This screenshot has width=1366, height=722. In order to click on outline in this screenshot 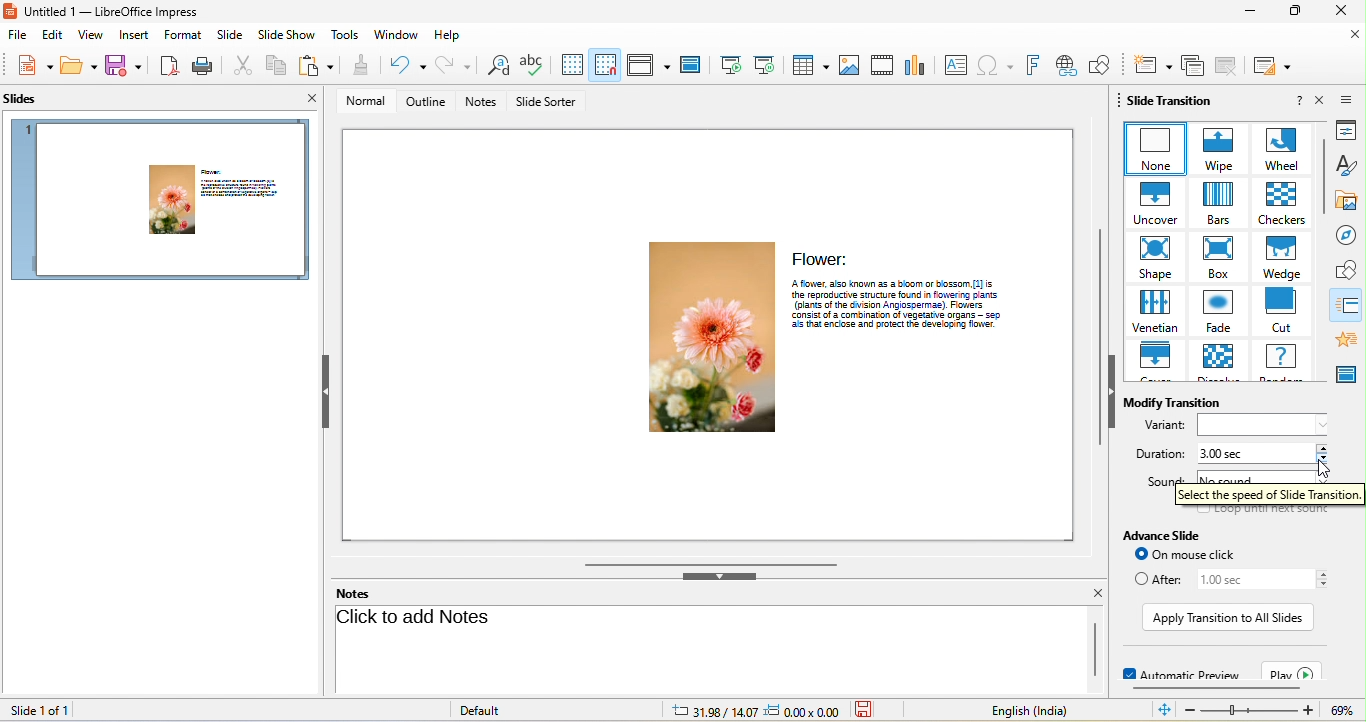, I will do `click(425, 102)`.